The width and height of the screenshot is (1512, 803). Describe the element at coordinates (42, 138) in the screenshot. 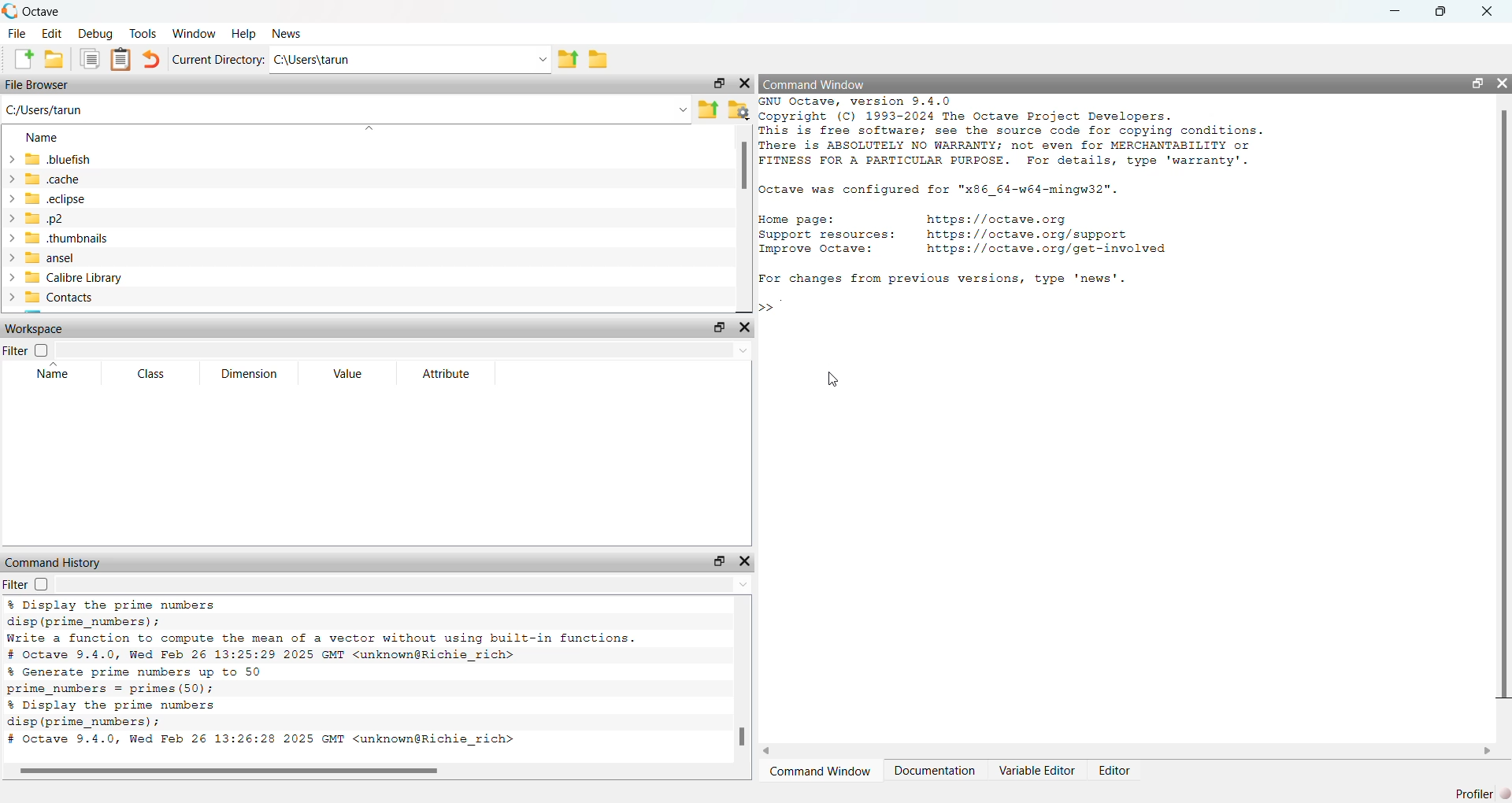

I see `Name` at that location.